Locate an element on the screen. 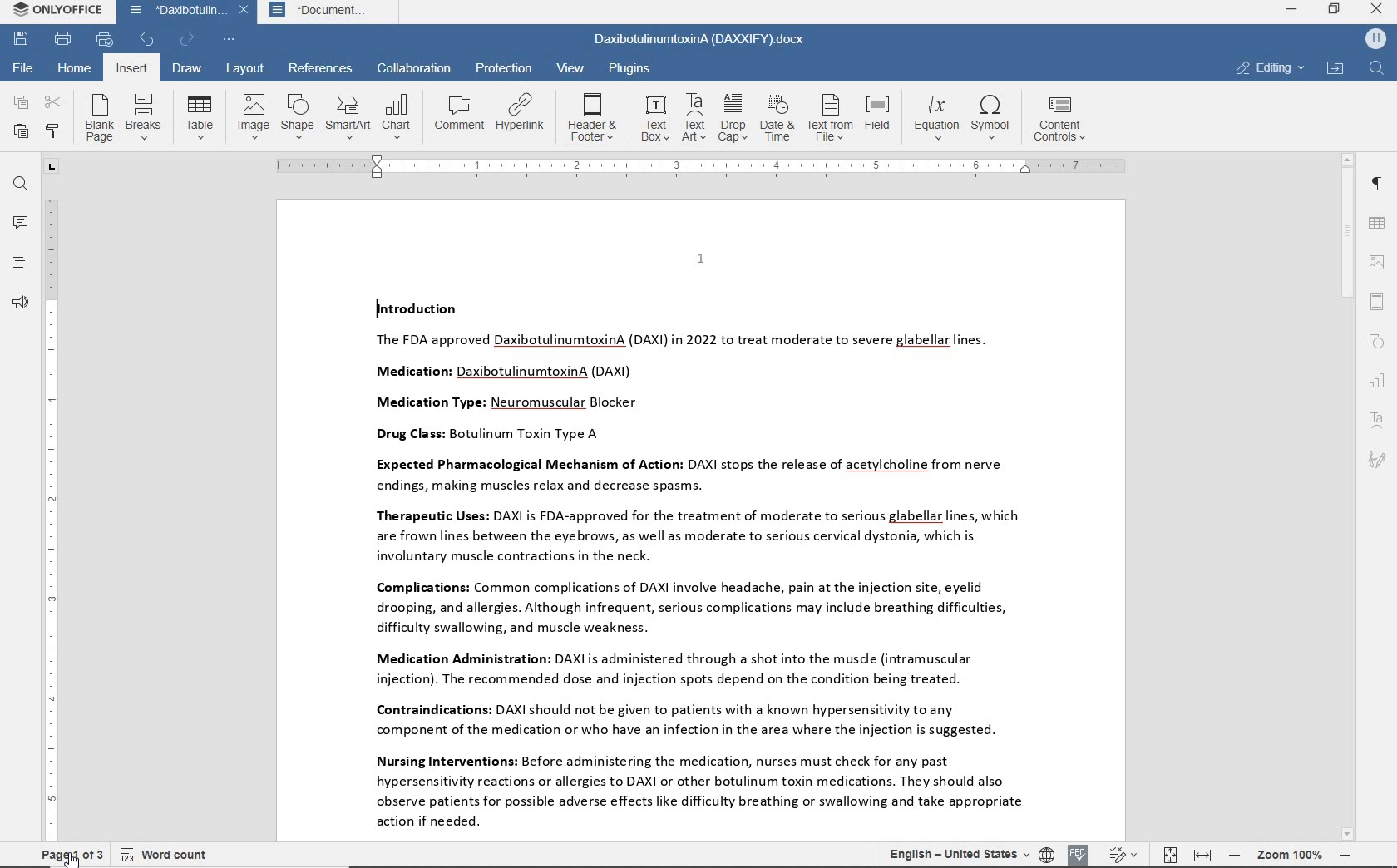 The height and width of the screenshot is (868, 1397). field is located at coordinates (879, 119).